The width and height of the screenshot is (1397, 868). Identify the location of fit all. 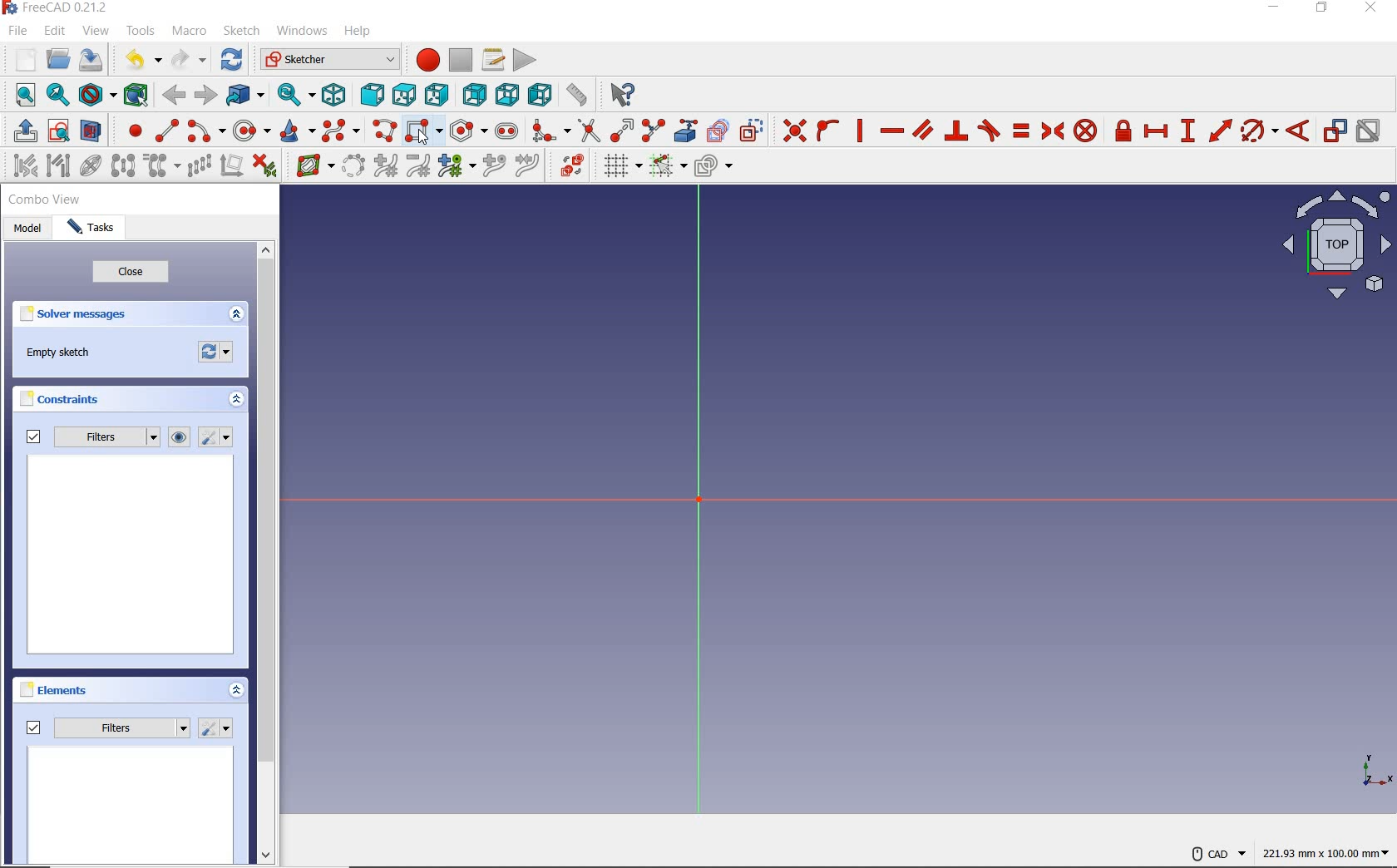
(20, 96).